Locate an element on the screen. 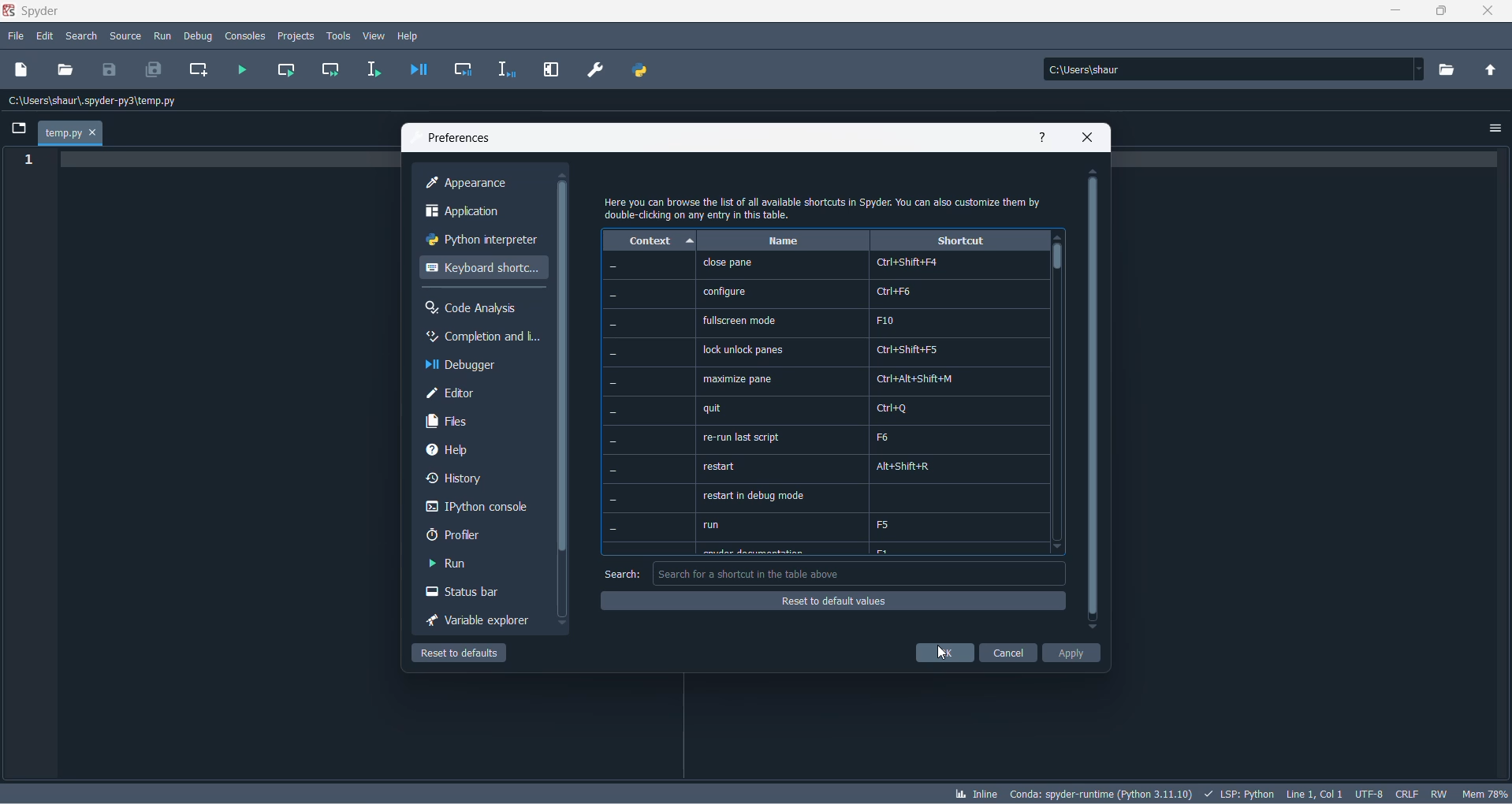 The image size is (1512, 804). script is located at coordinates (1239, 792).